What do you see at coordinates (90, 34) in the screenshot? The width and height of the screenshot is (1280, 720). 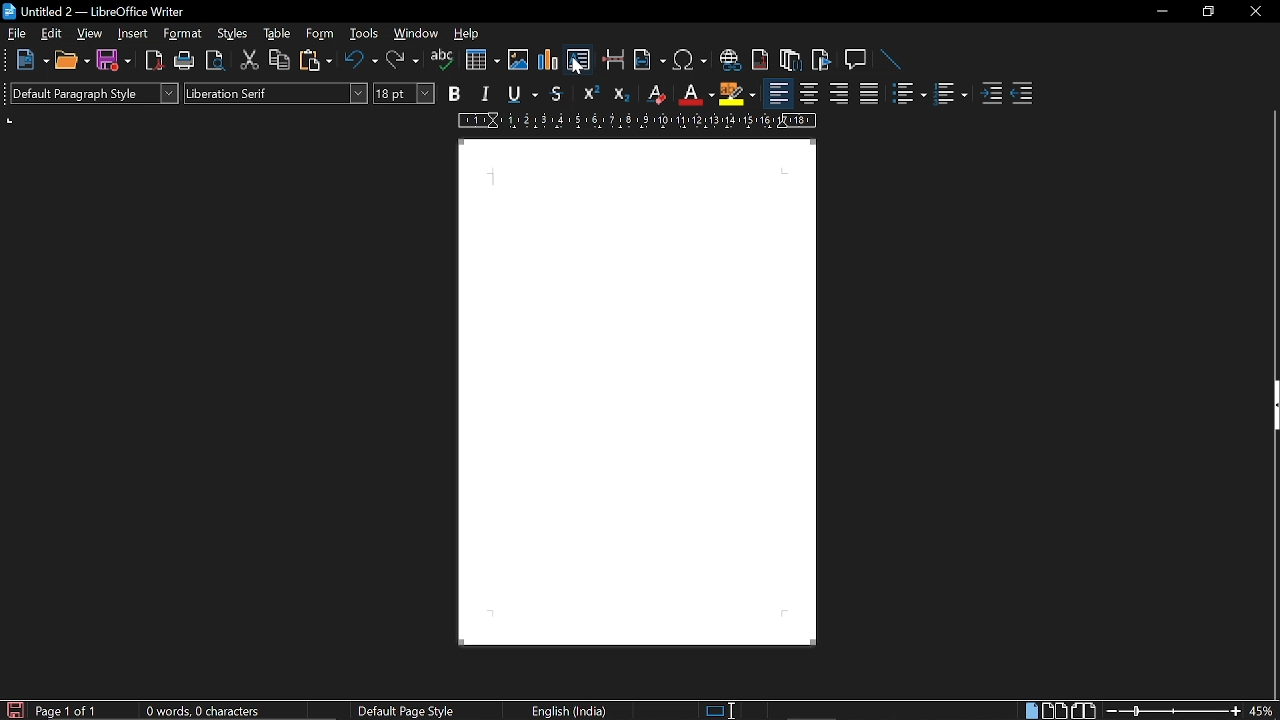 I see `view` at bounding box center [90, 34].